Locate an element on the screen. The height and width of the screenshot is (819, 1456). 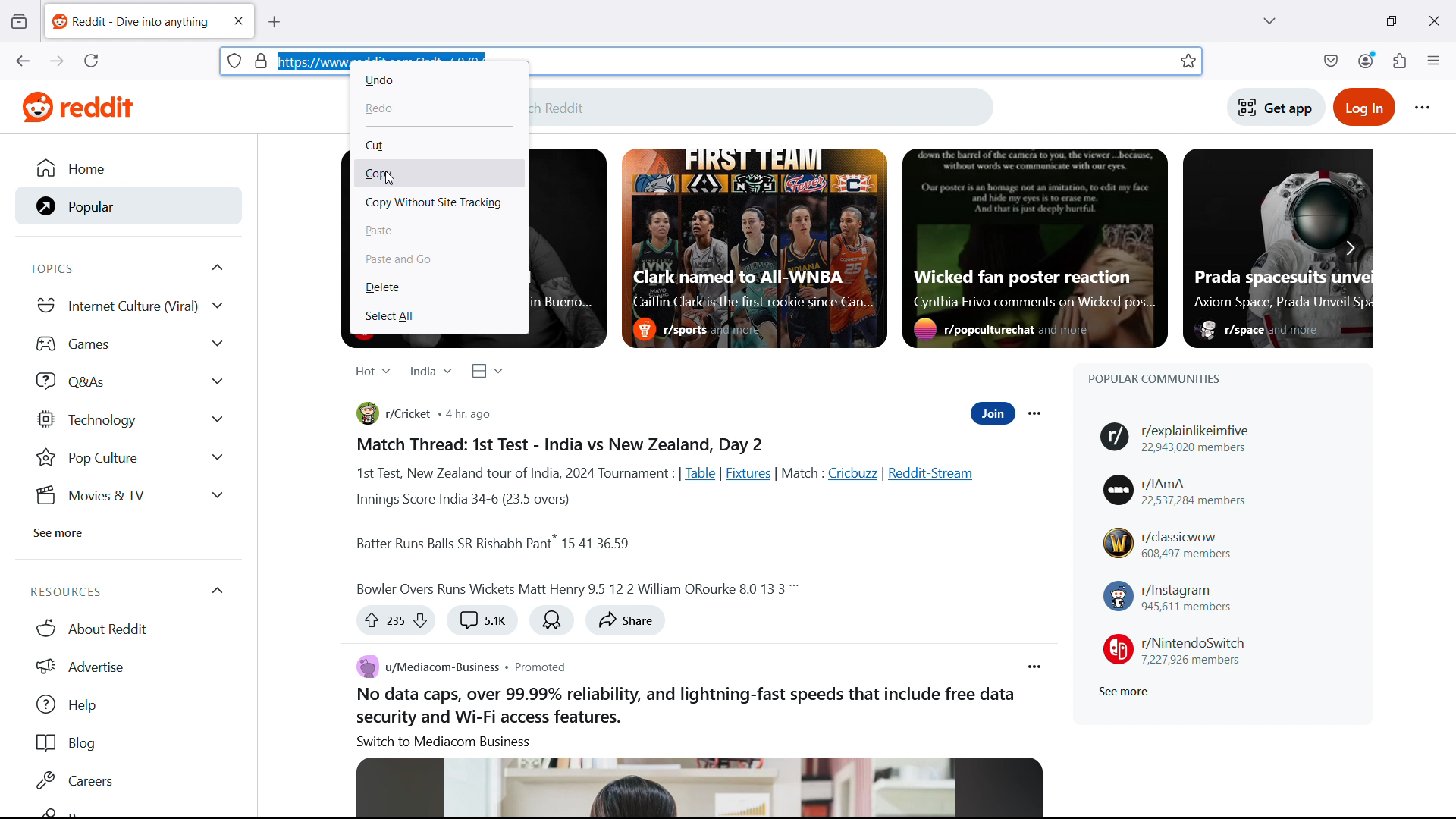
Post options is located at coordinates (1035, 667).